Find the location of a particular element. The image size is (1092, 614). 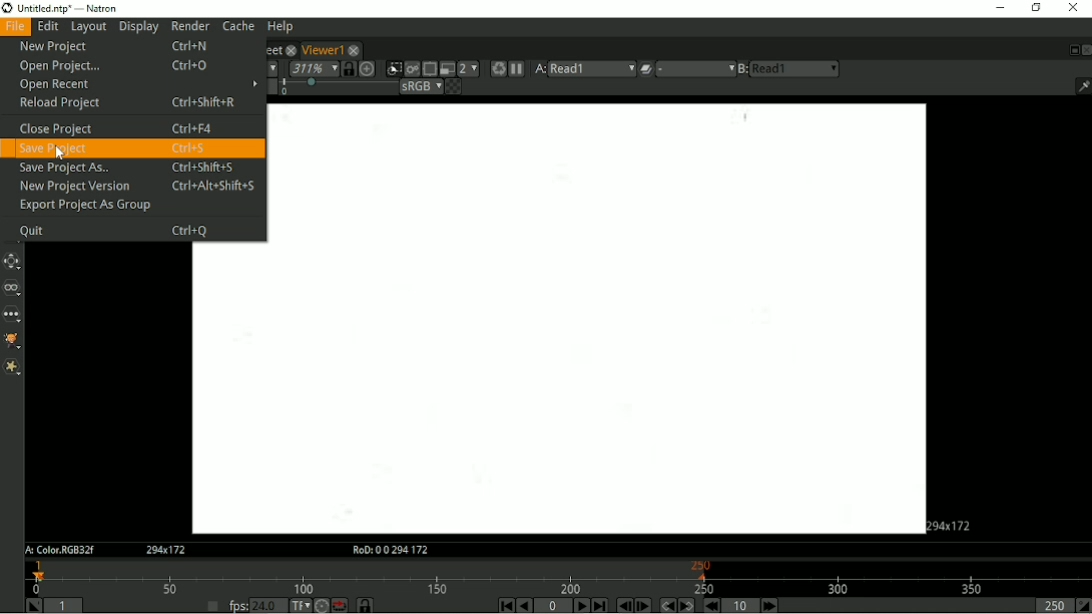

Checkerboard is located at coordinates (454, 88).